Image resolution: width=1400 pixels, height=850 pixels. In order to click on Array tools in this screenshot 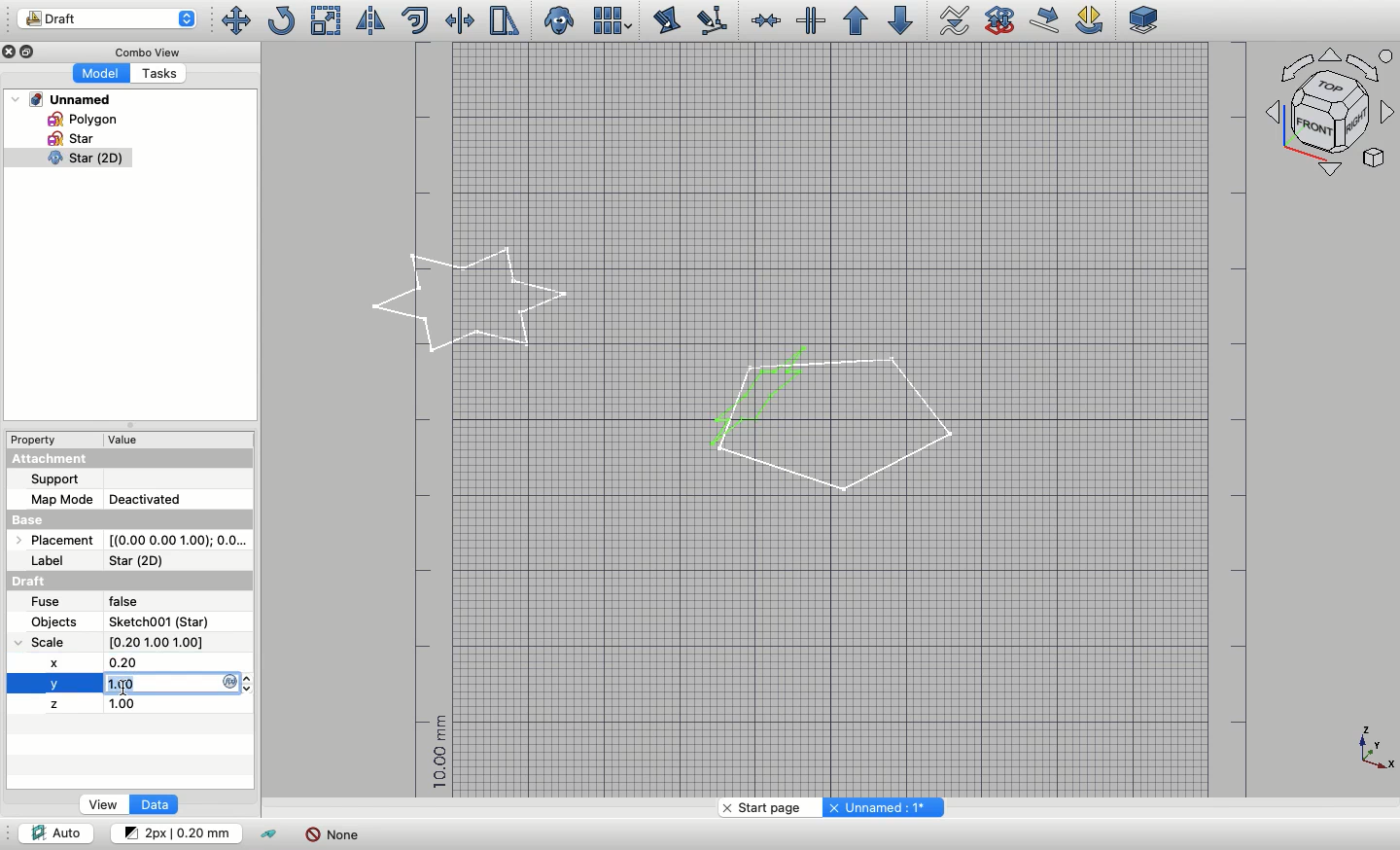, I will do `click(610, 20)`.